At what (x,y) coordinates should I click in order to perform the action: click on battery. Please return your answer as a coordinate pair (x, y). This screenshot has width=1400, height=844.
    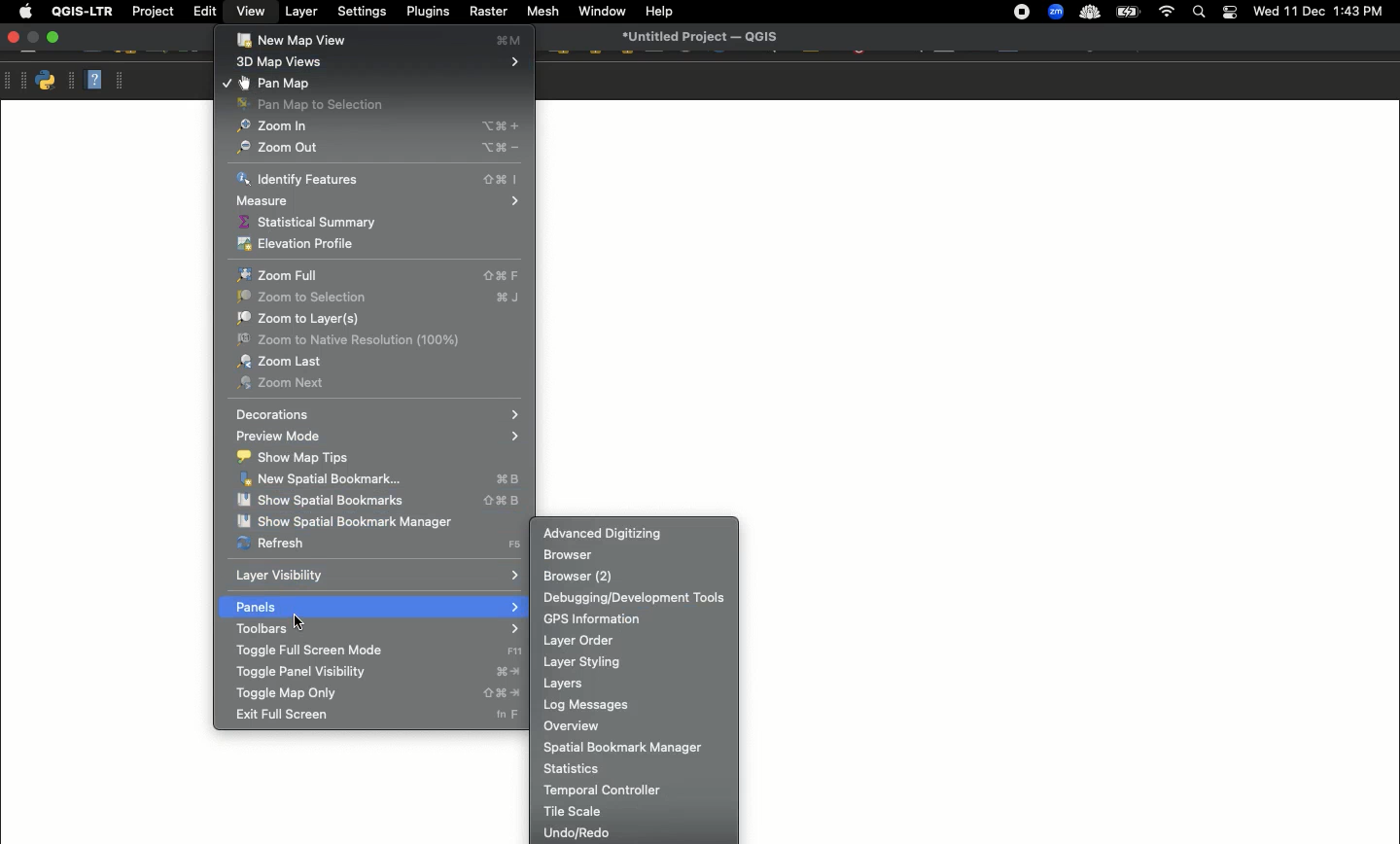
    Looking at the image, I should click on (1132, 11).